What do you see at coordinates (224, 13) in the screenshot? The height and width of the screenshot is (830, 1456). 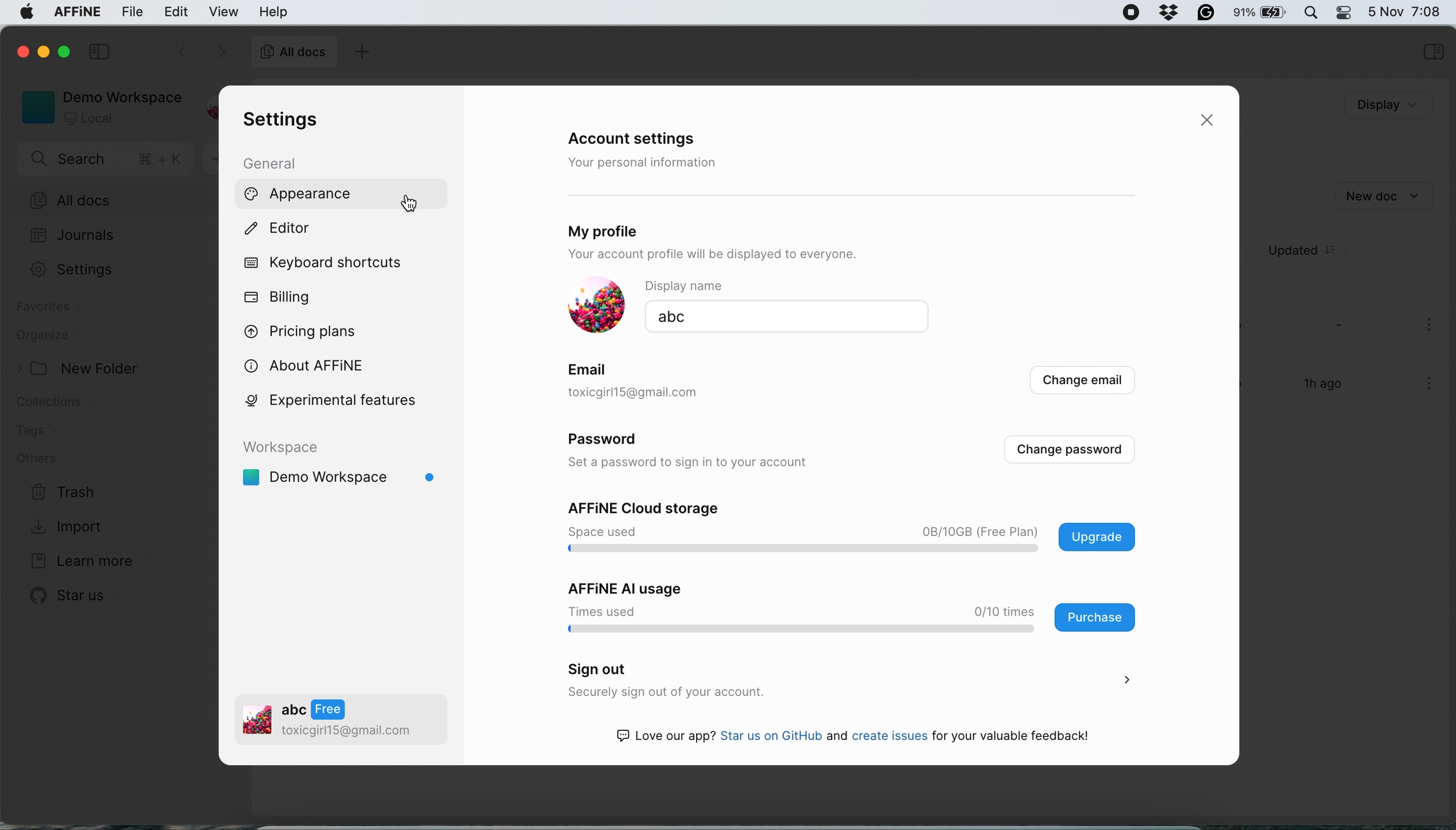 I see `view` at bounding box center [224, 13].